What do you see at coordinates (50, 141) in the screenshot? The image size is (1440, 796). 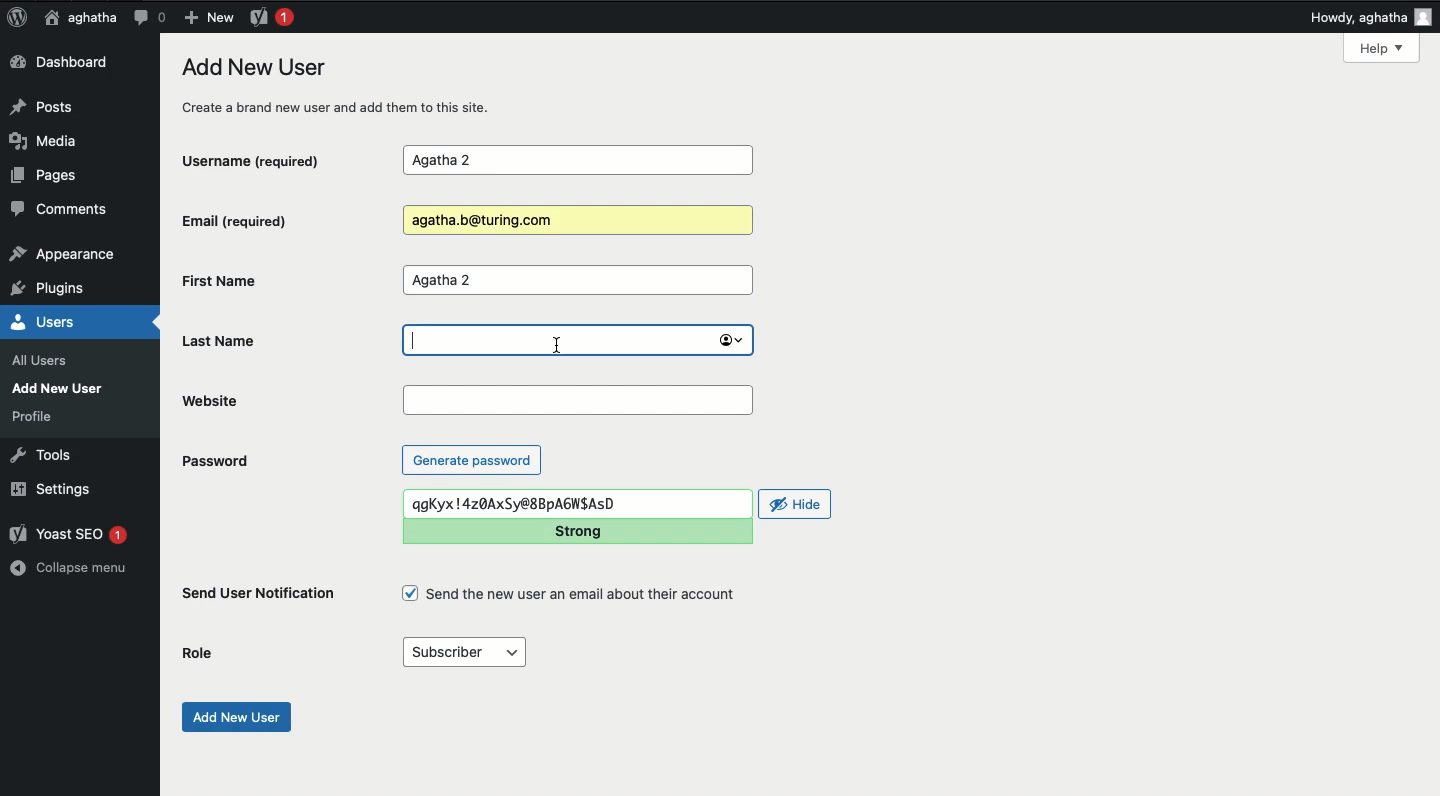 I see `Media` at bounding box center [50, 141].